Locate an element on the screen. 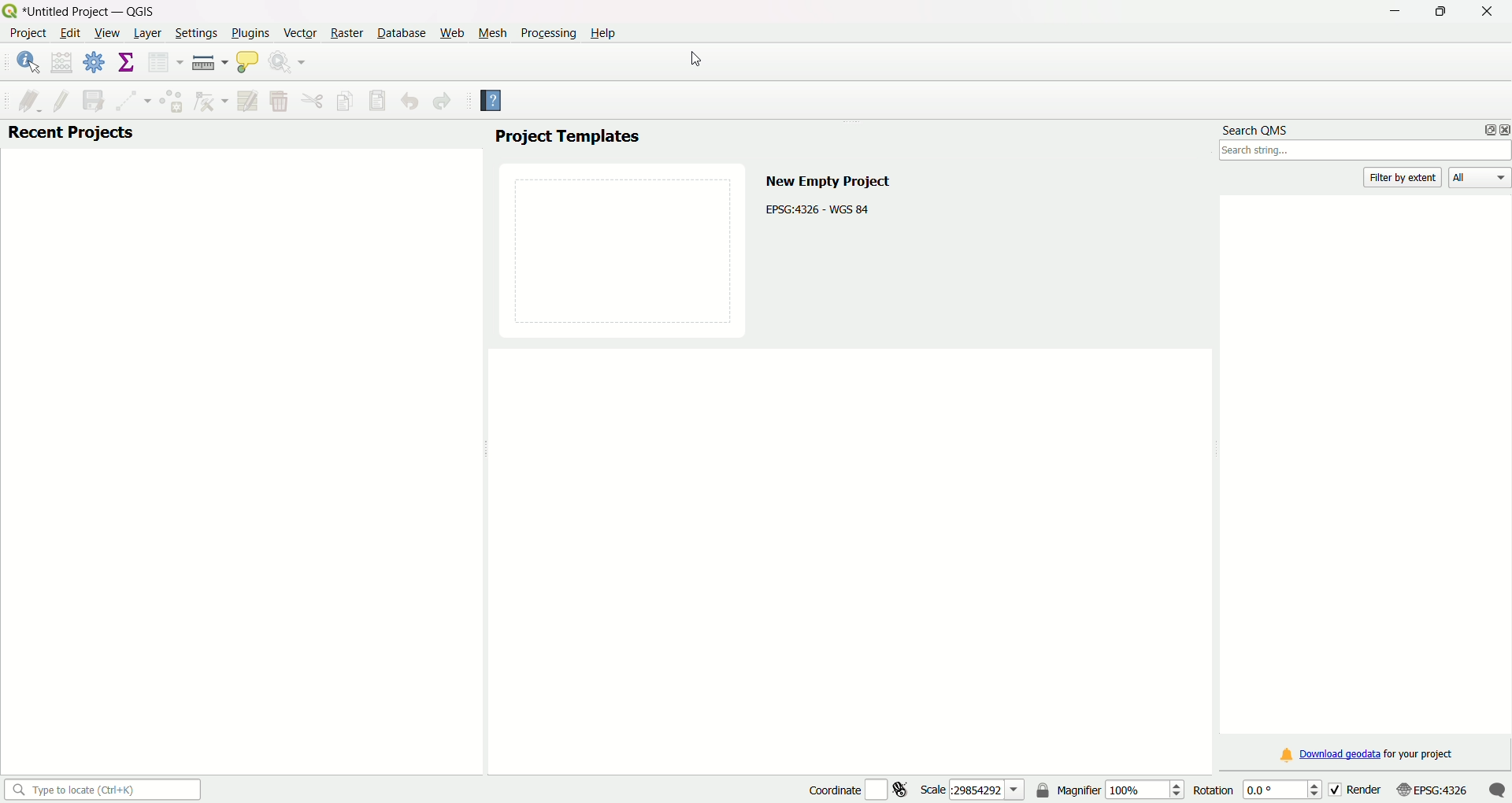  Download geodata for your project is located at coordinates (1368, 756).